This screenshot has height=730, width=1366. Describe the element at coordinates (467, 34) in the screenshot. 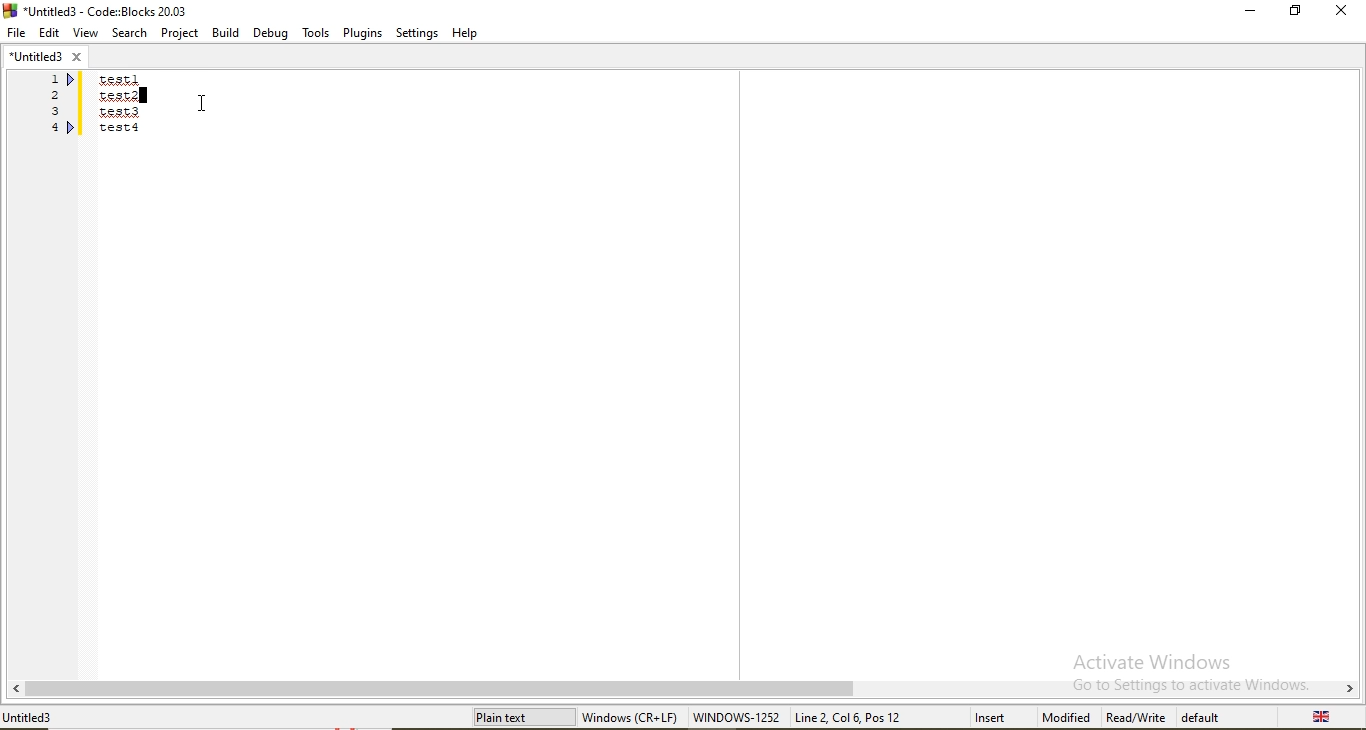

I see `Help` at that location.